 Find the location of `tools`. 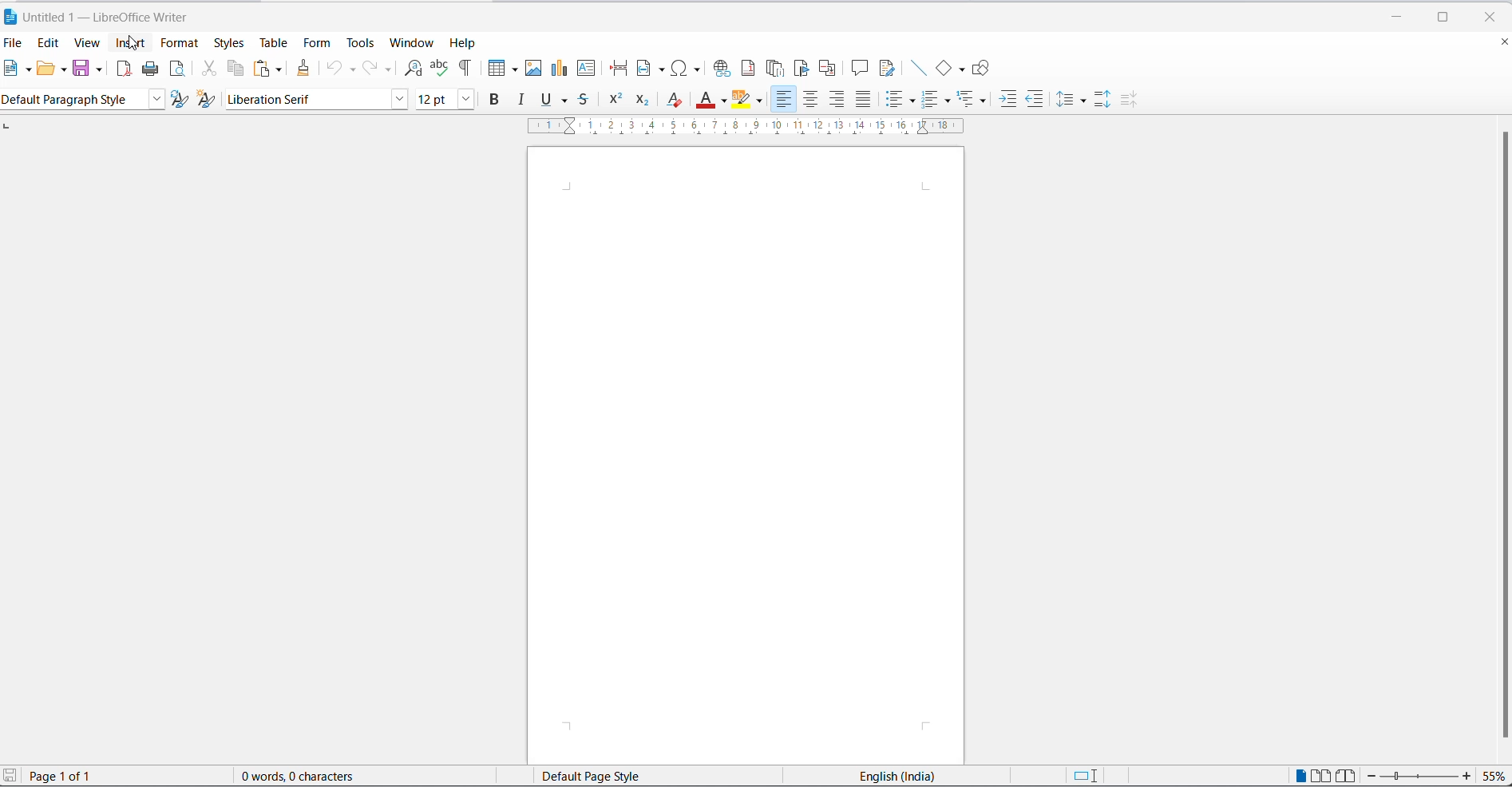

tools is located at coordinates (362, 43).